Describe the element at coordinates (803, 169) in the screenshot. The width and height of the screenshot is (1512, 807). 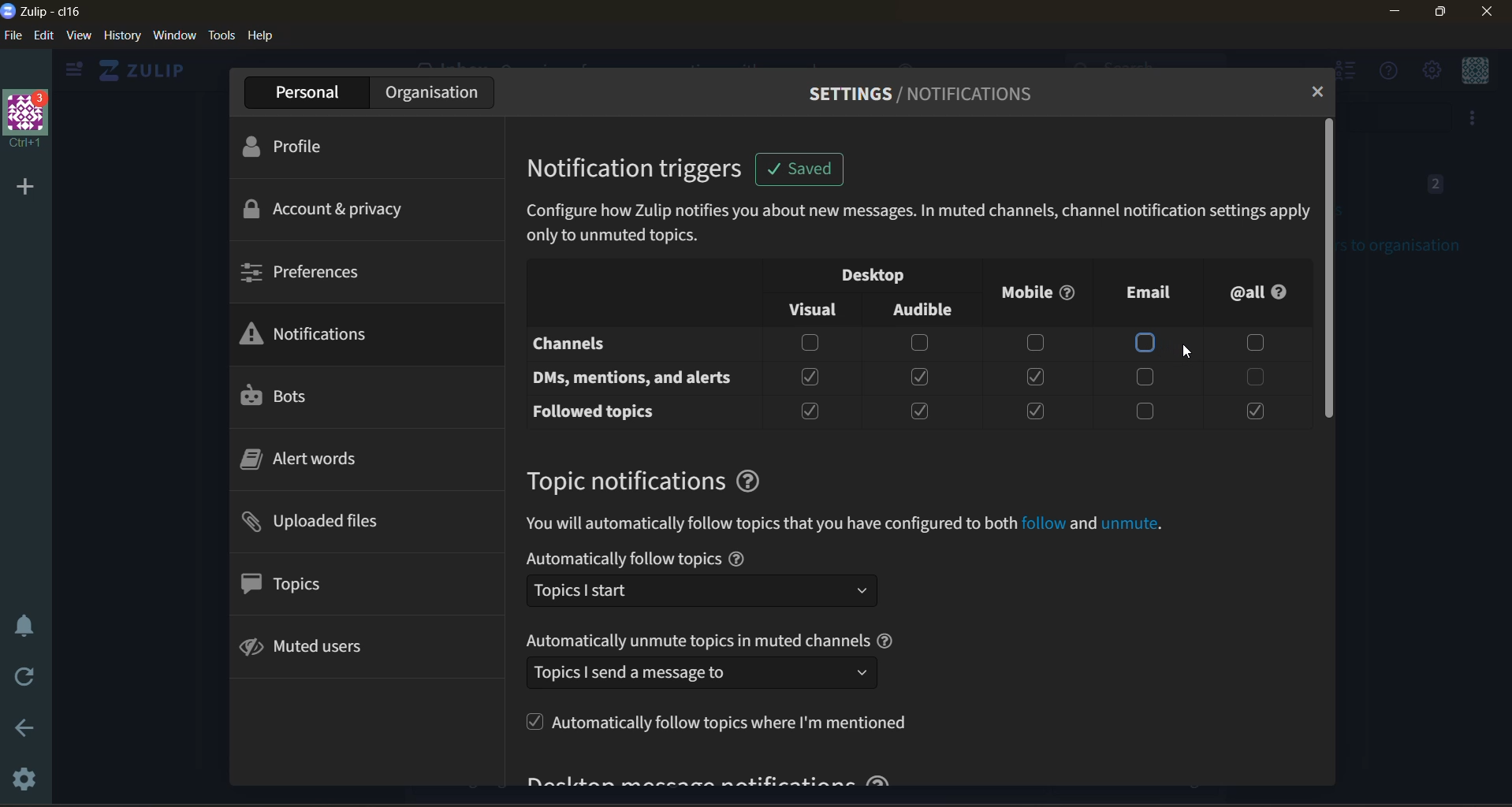
I see `Notification (saved)` at that location.